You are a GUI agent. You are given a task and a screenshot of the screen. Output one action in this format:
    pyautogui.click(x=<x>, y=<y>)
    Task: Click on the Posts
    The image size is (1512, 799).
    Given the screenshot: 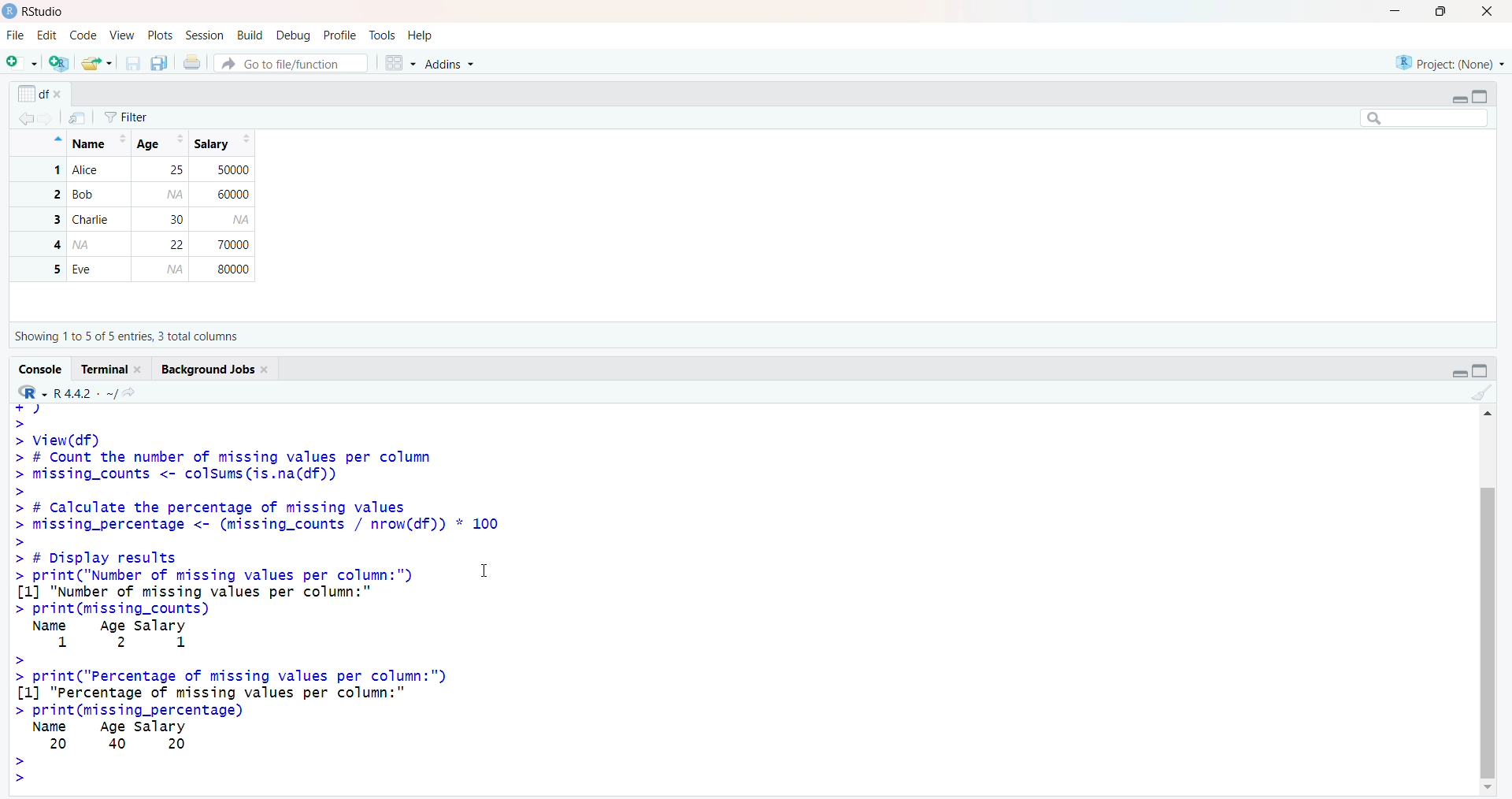 What is the action you would take?
    pyautogui.click(x=160, y=34)
    